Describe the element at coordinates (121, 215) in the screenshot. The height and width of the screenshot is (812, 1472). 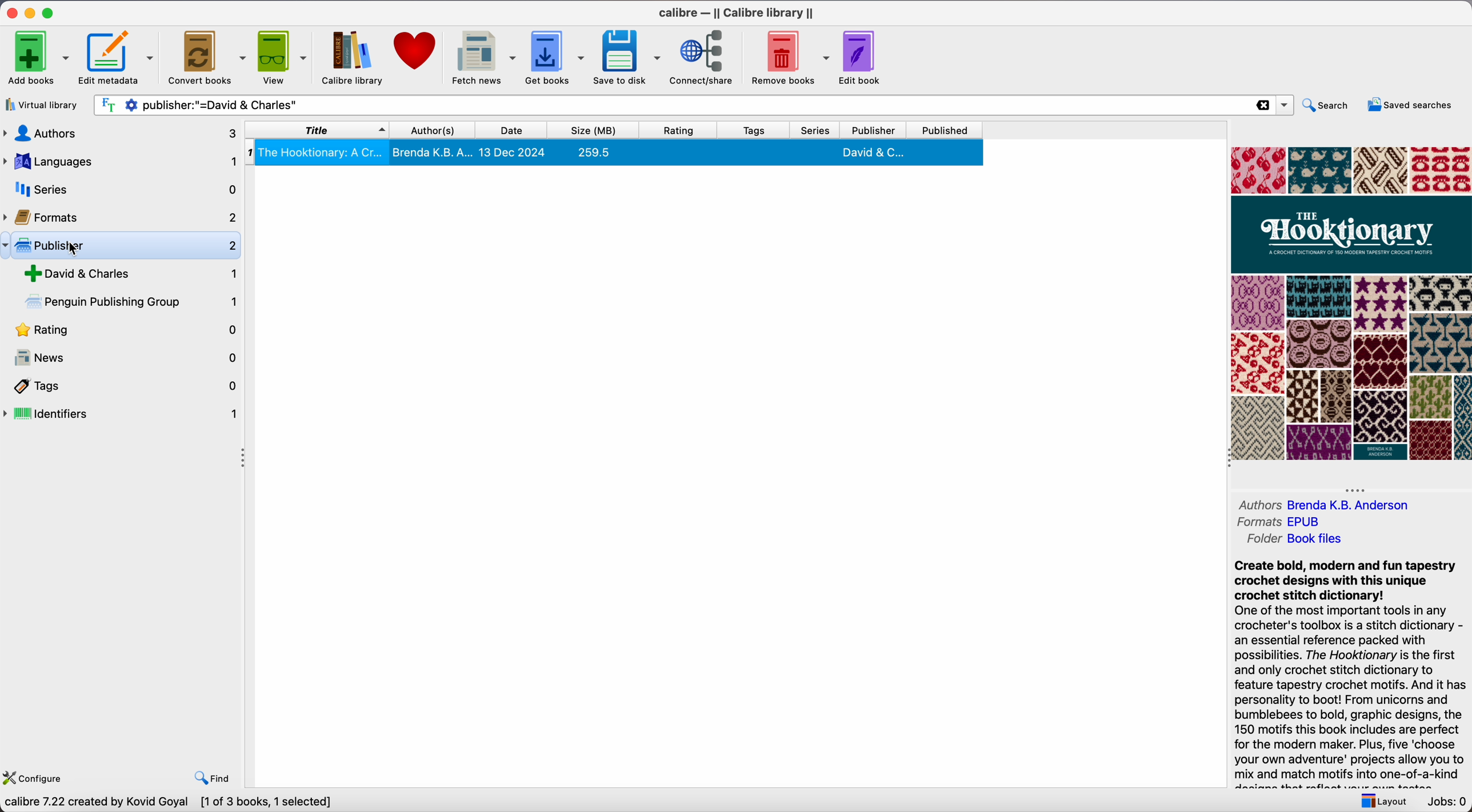
I see `formats` at that location.